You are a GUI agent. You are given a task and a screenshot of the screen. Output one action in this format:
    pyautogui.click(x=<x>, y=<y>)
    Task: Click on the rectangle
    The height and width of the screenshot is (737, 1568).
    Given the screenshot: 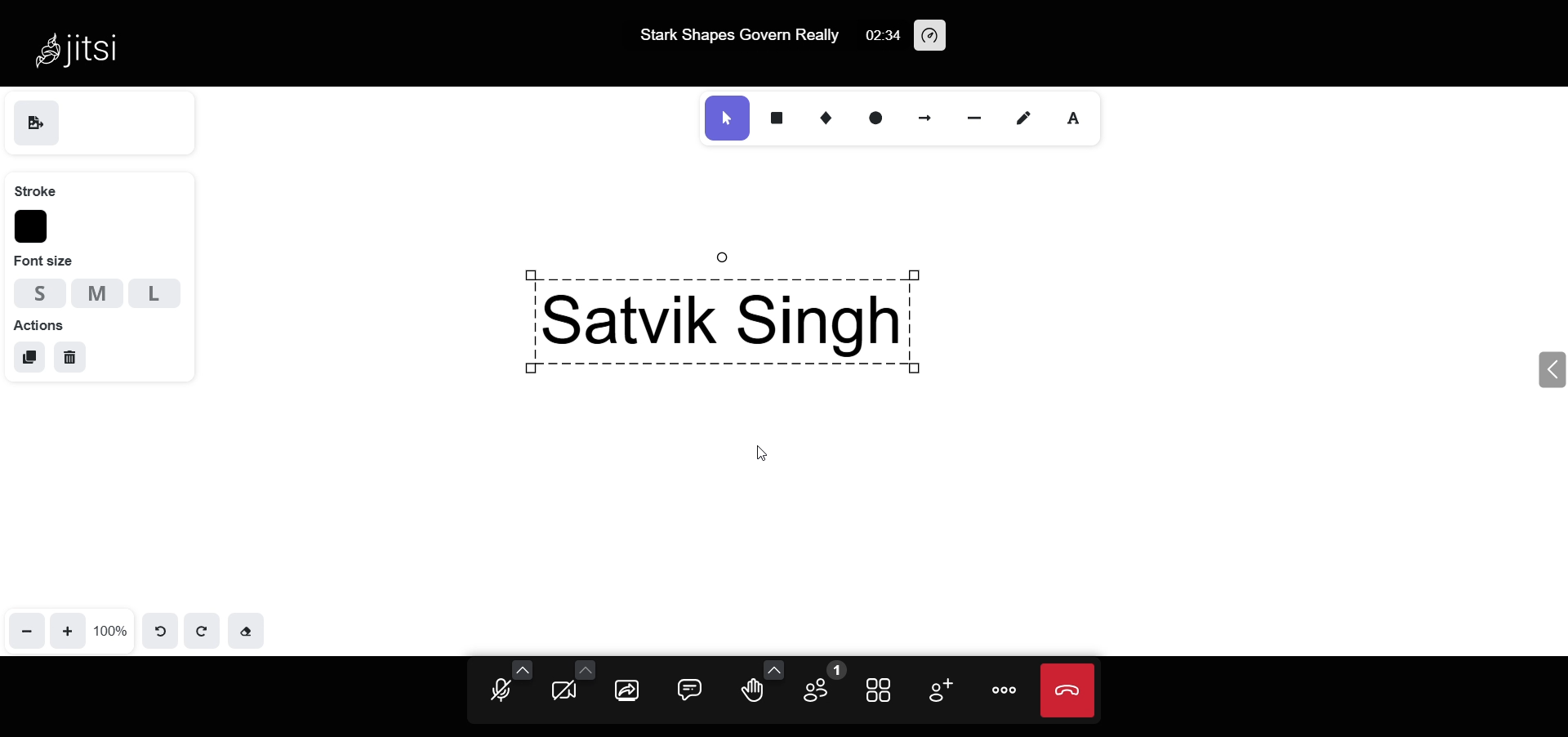 What is the action you would take?
    pyautogui.click(x=778, y=114)
    